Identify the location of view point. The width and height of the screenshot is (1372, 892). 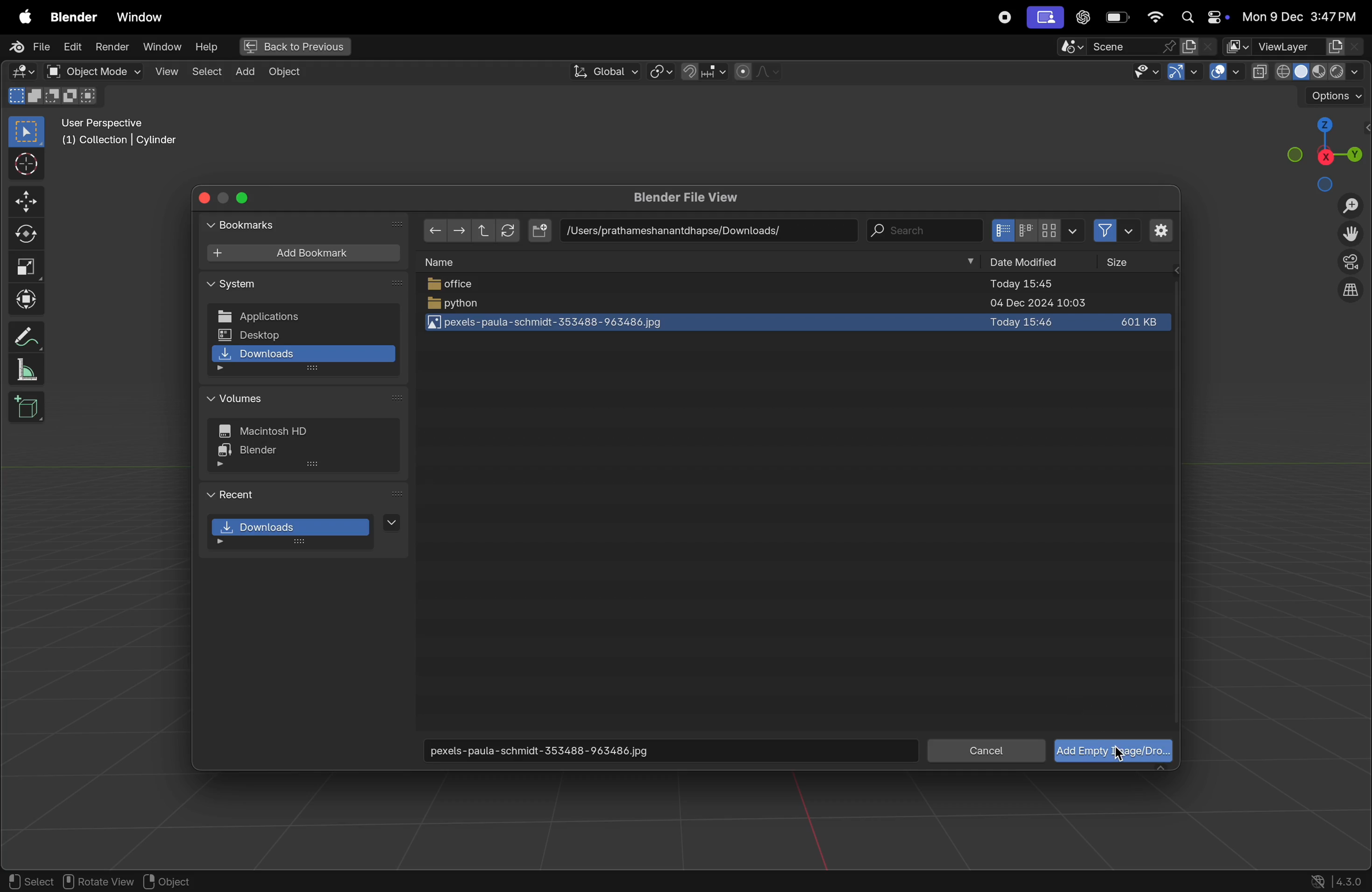
(1326, 151).